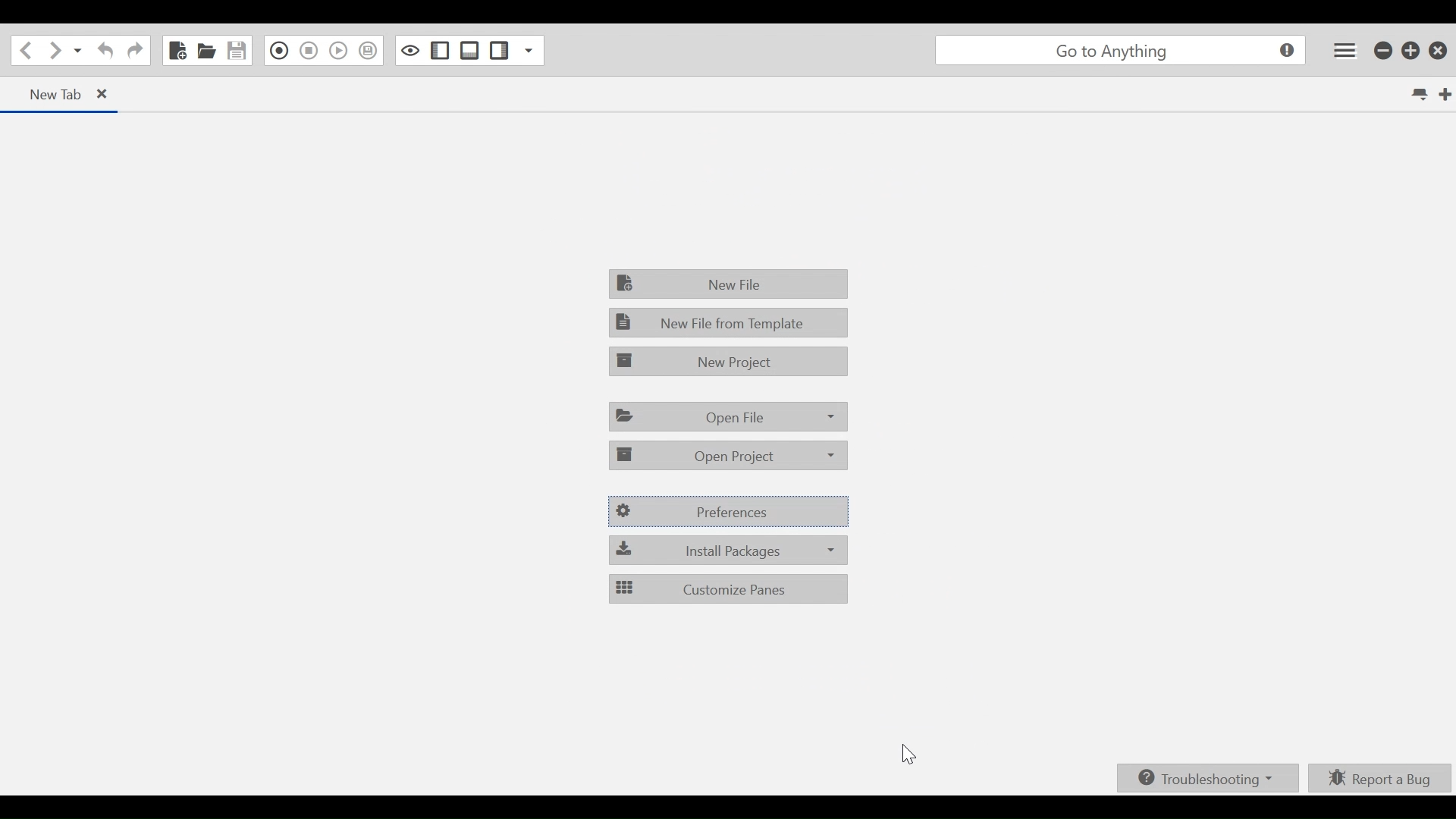 This screenshot has height=819, width=1456. Describe the element at coordinates (1417, 95) in the screenshot. I see `List of tabs` at that location.